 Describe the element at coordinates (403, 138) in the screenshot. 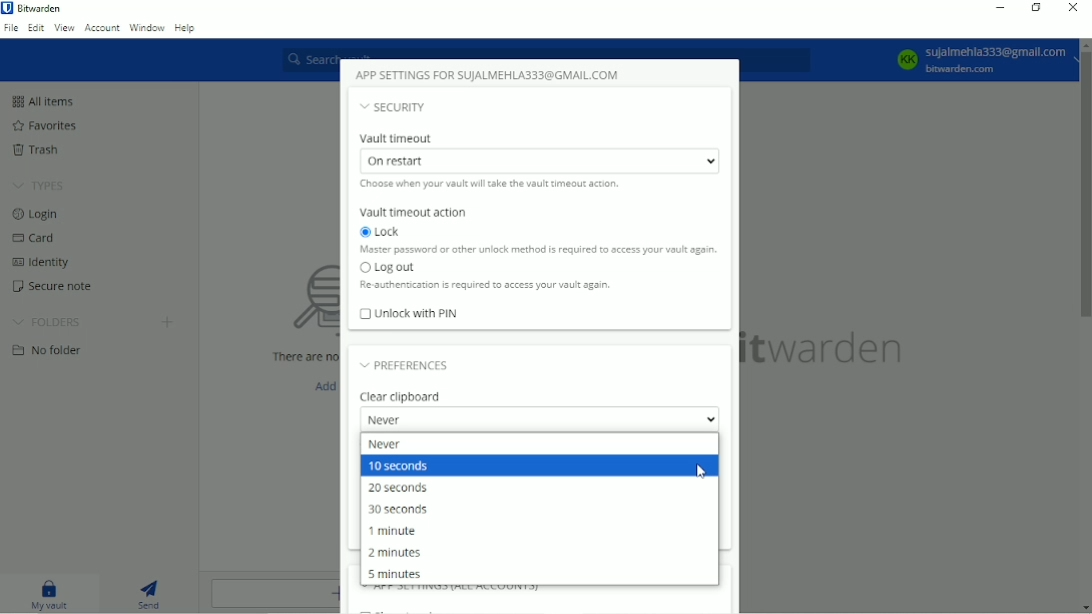

I see `Vault timeout` at that location.